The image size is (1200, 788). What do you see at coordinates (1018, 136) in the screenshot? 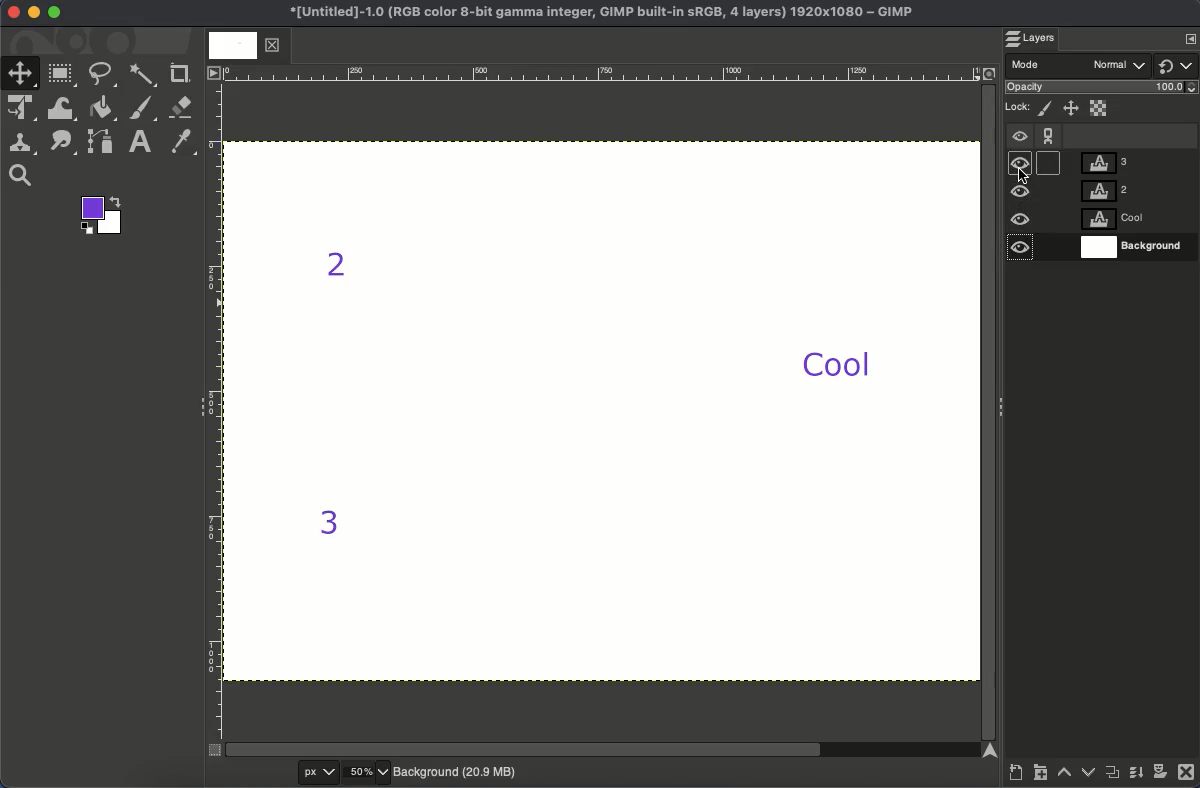
I see `Visible` at bounding box center [1018, 136].